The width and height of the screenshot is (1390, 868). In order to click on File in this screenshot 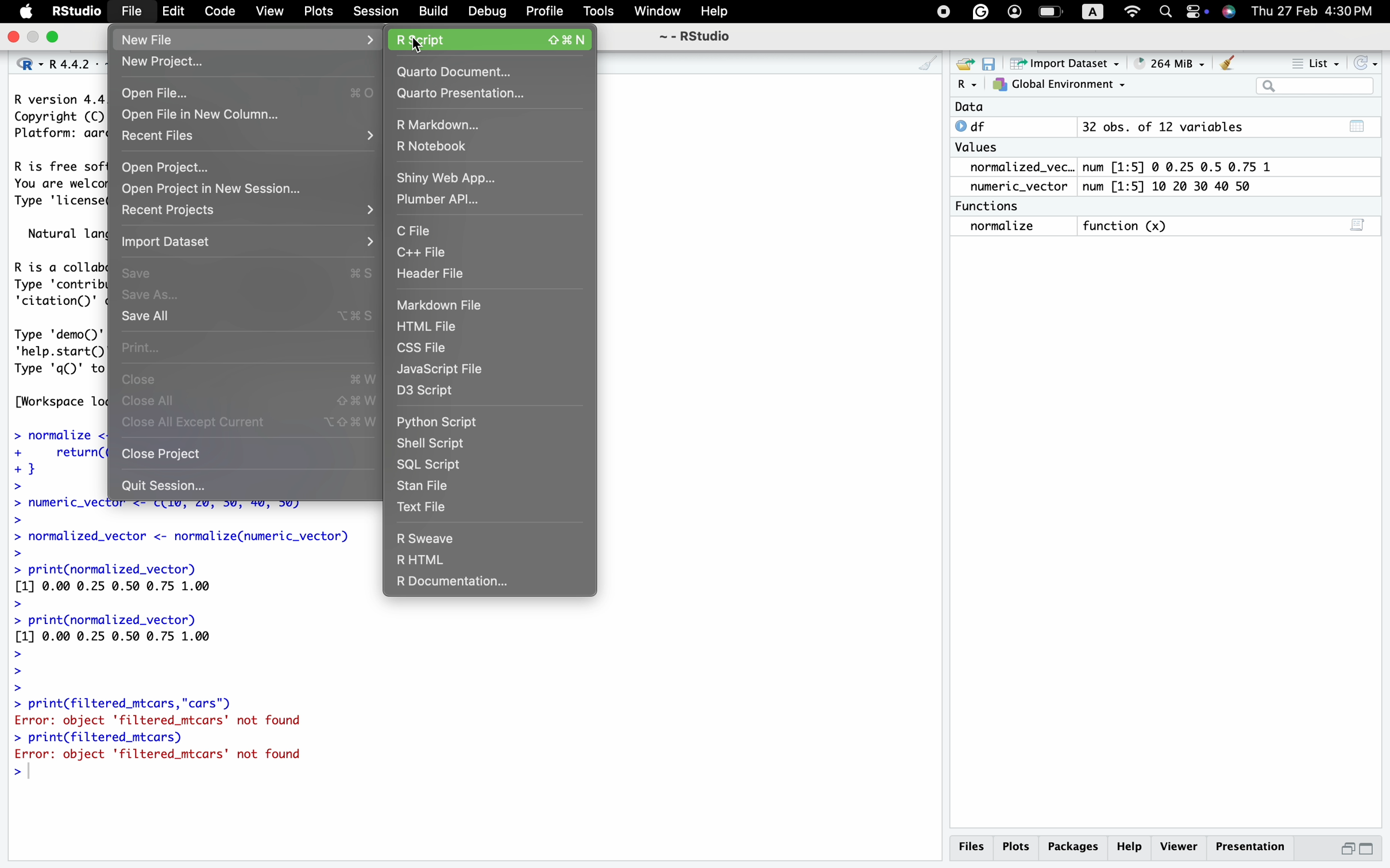, I will do `click(132, 10)`.